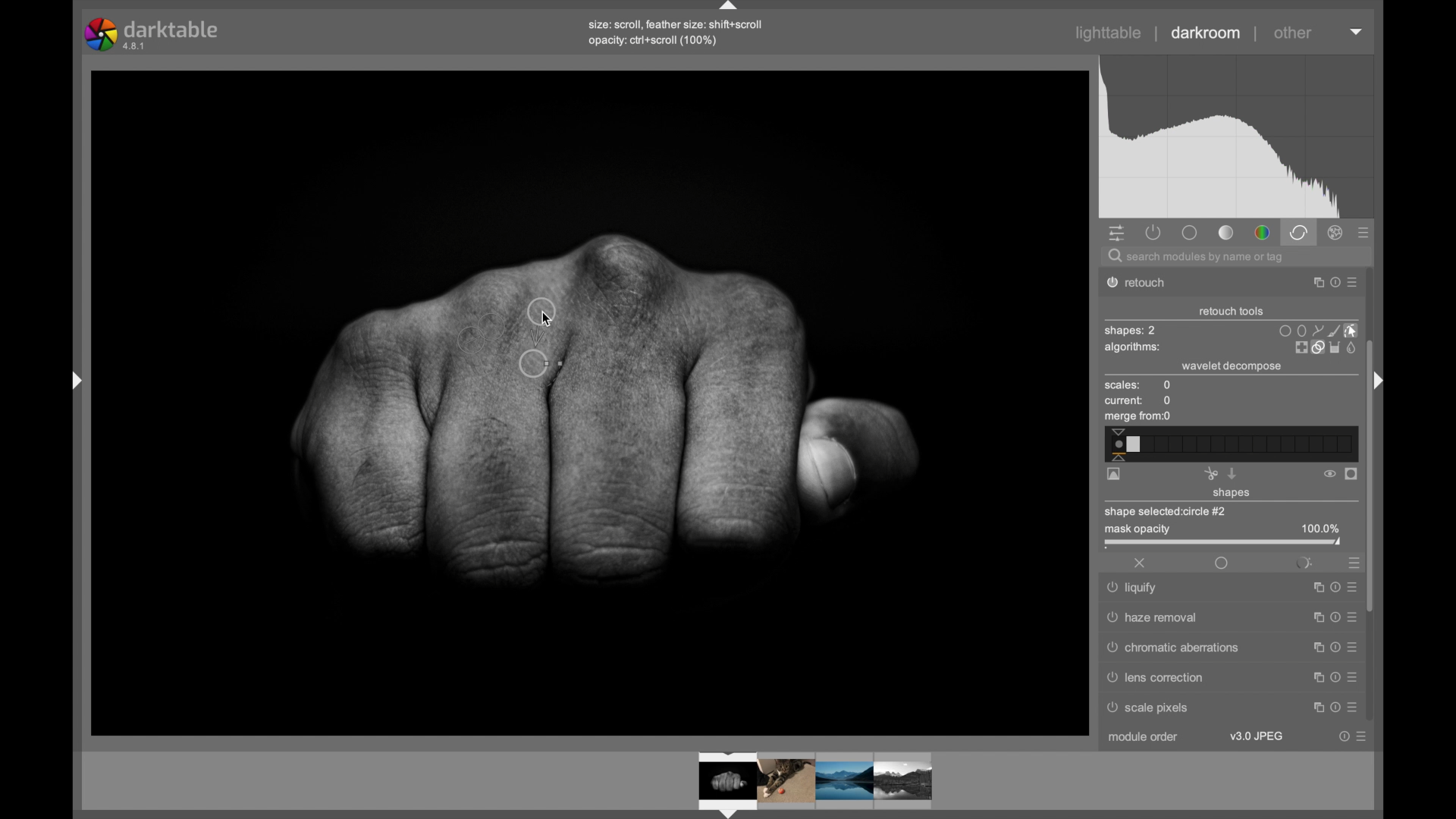 The height and width of the screenshot is (819, 1456). Describe the element at coordinates (1154, 232) in the screenshot. I see `show active modules only` at that location.